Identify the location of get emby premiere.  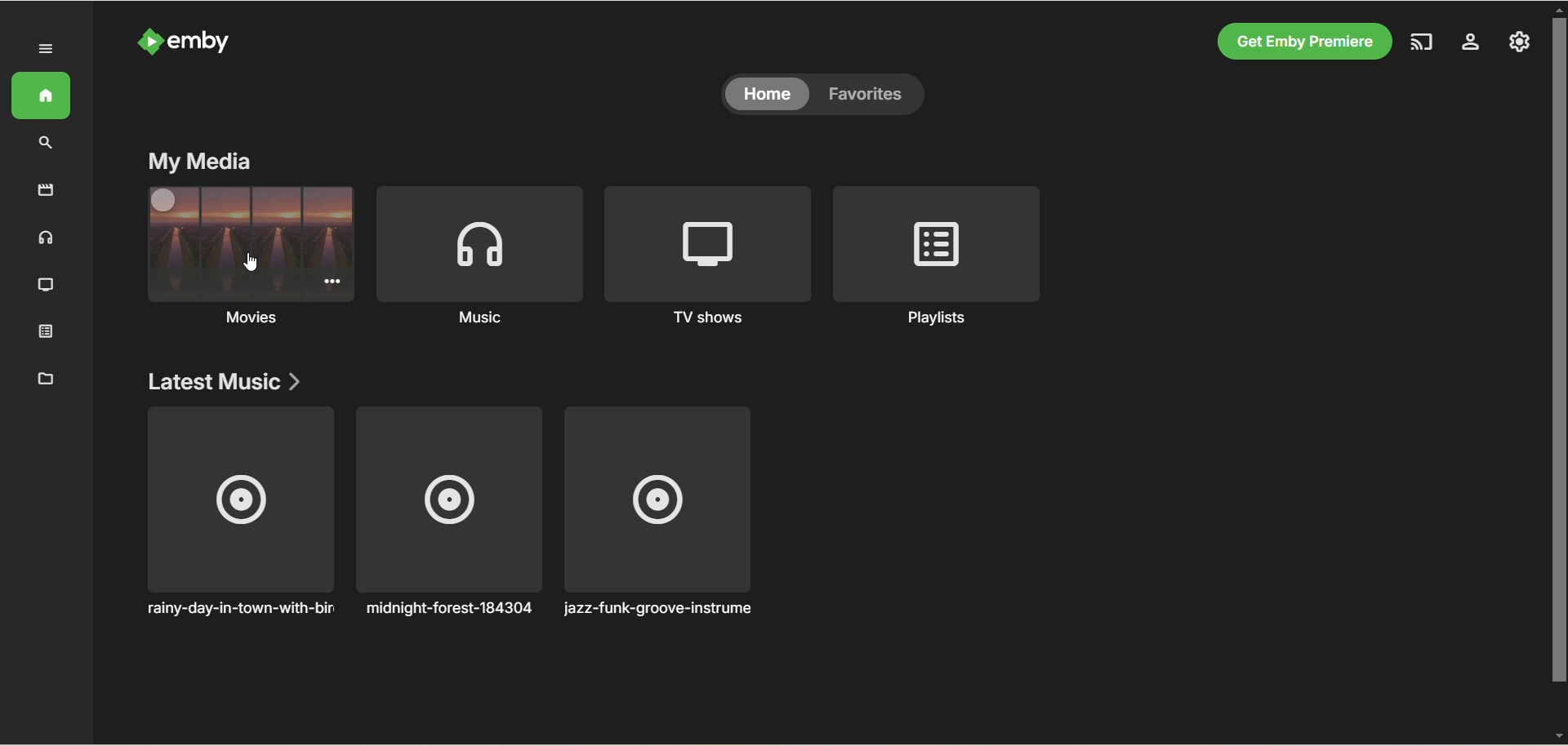
(1300, 42).